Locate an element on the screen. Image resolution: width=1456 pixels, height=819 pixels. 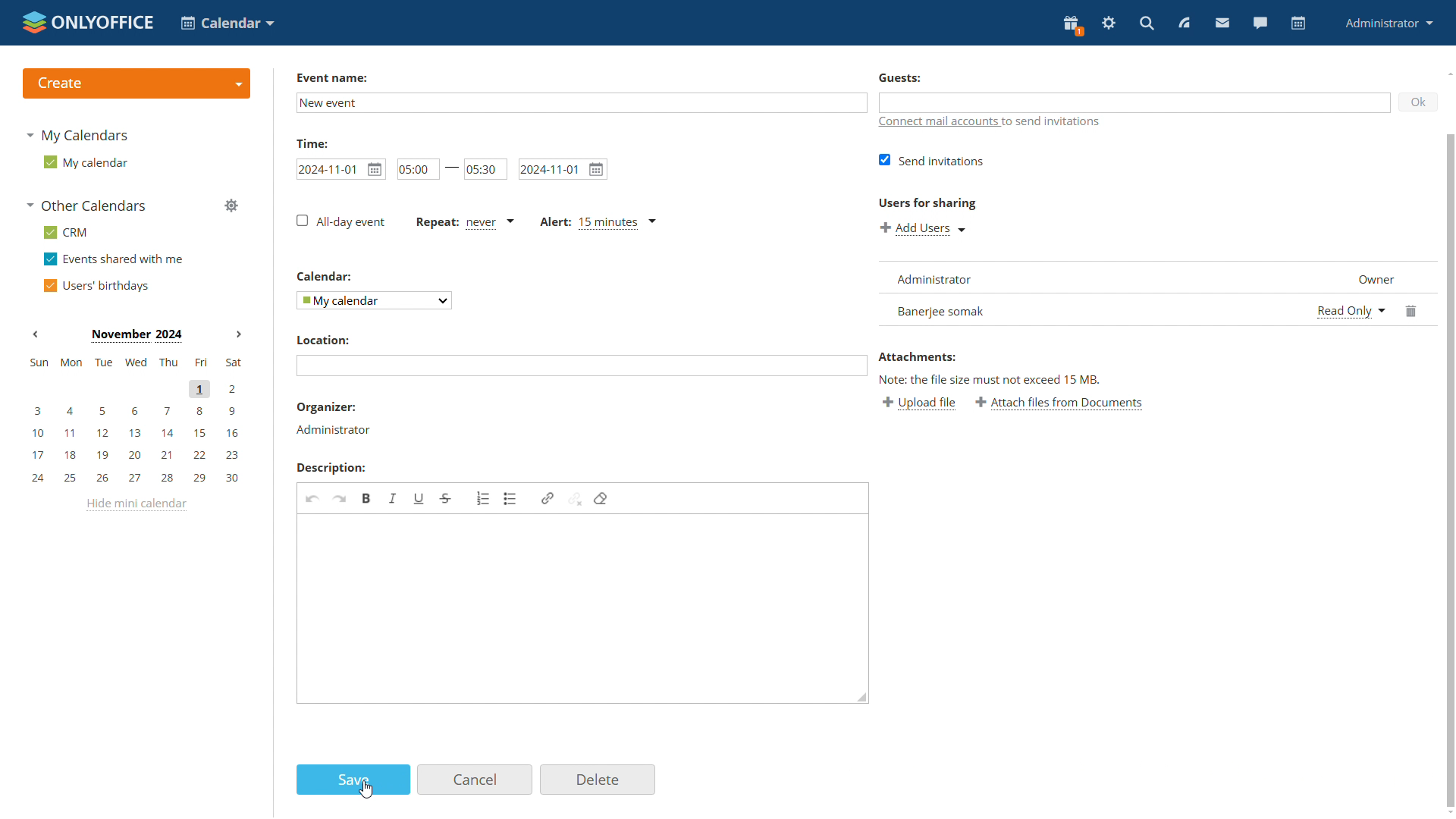
administrator is located at coordinates (1387, 24).